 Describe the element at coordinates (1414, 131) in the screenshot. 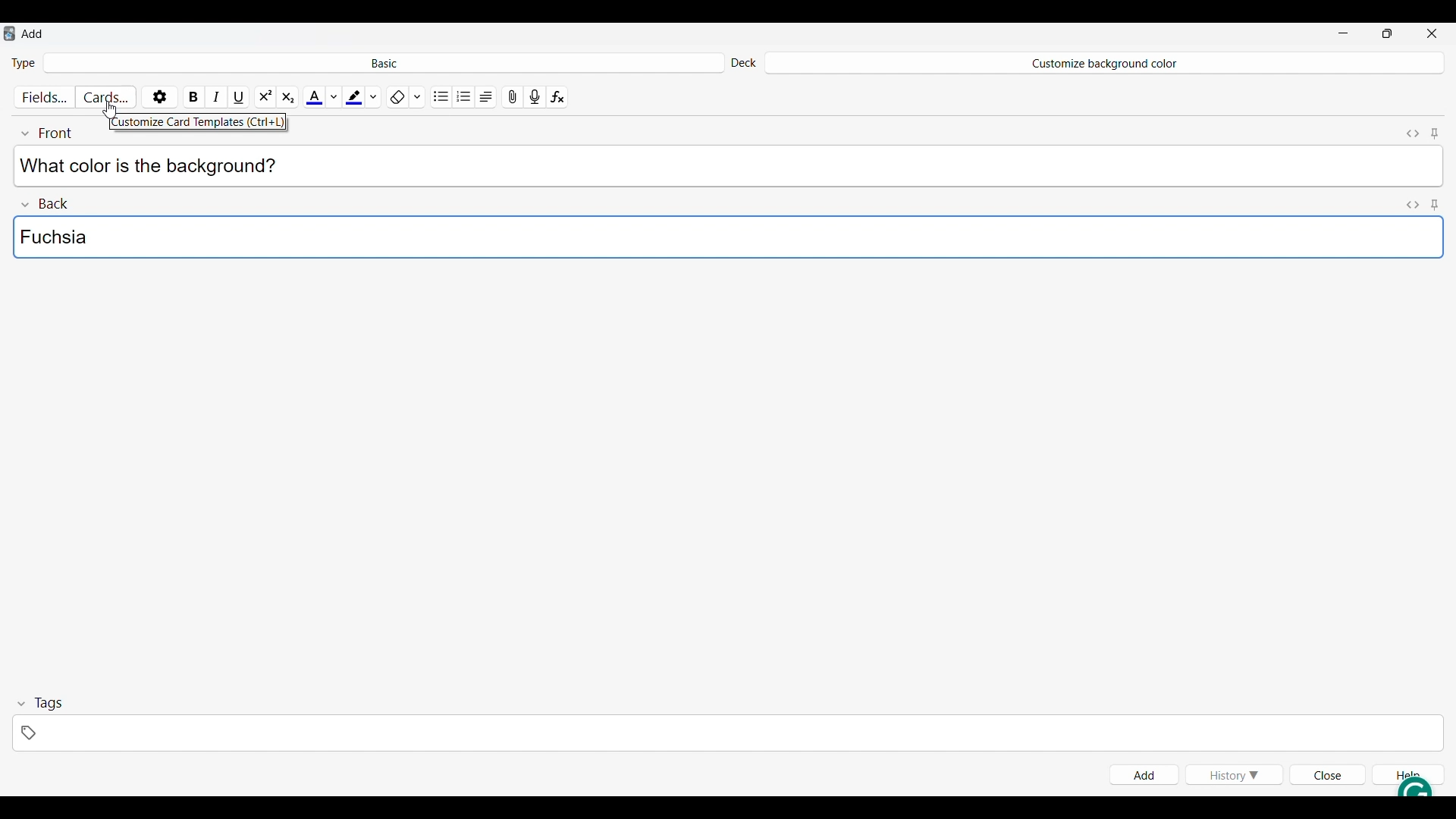

I see `Toggle HTML editor` at that location.